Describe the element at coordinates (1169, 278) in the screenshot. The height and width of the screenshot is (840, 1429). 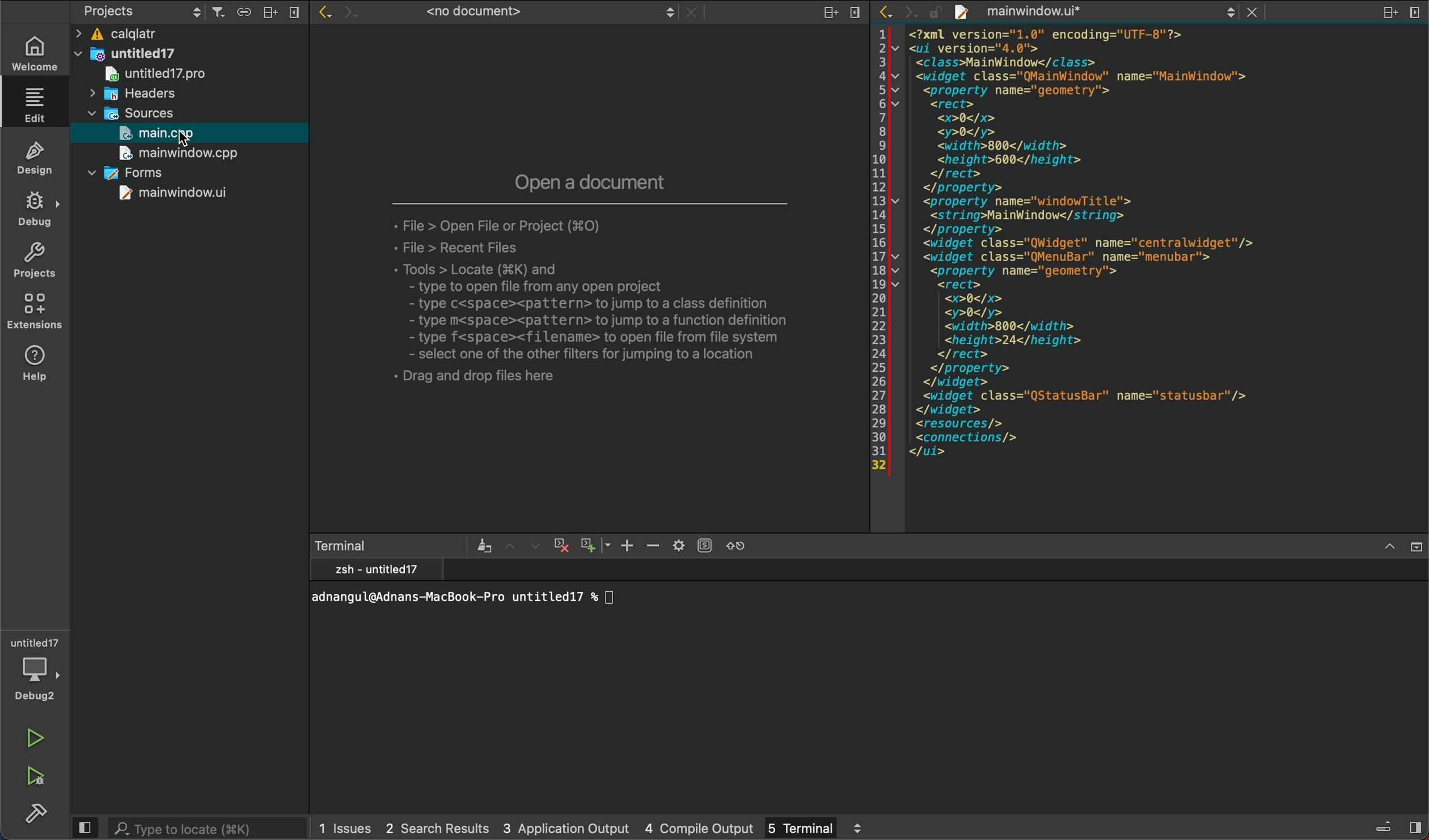
I see `file content` at that location.